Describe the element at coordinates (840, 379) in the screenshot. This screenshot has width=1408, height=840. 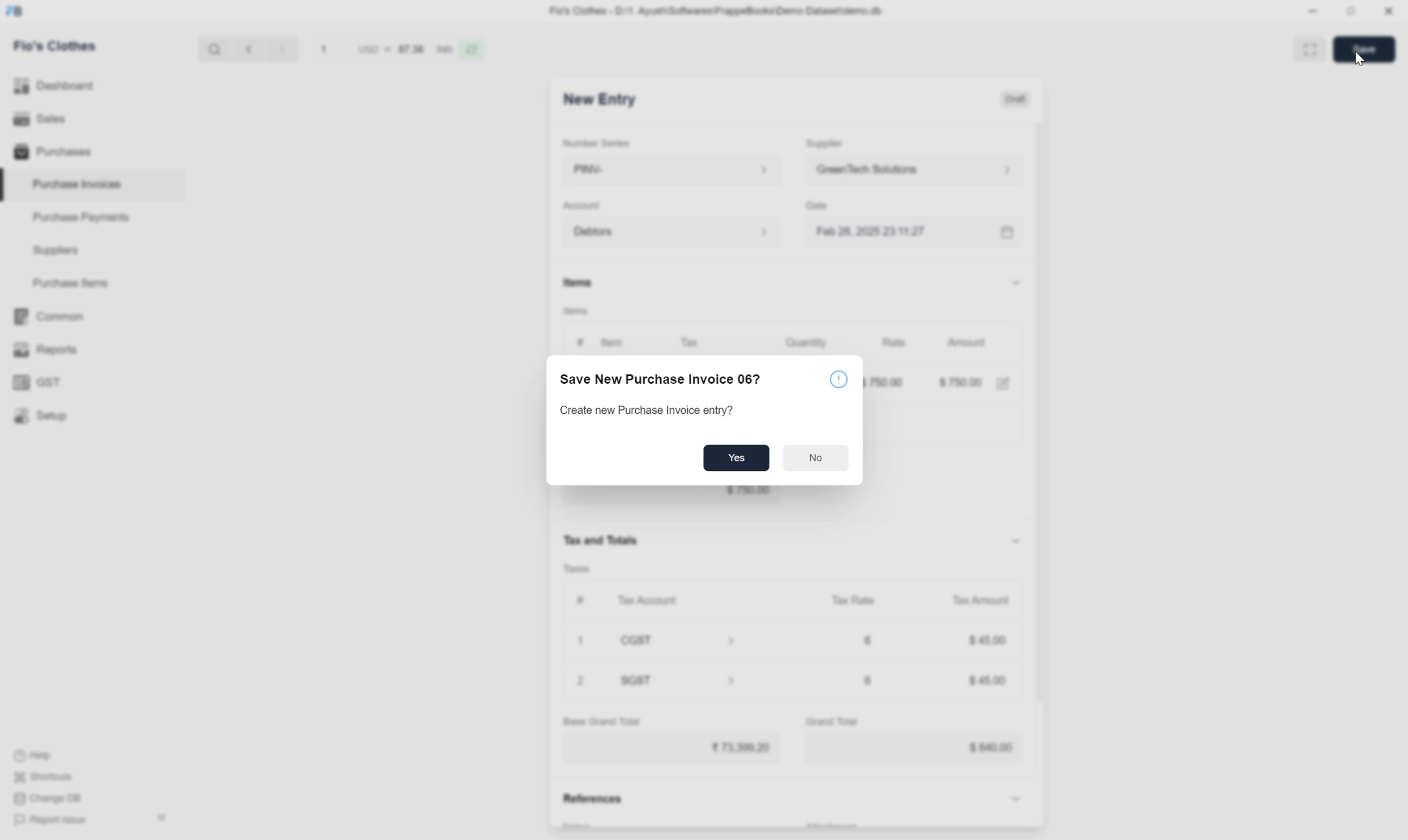
I see `Information` at that location.